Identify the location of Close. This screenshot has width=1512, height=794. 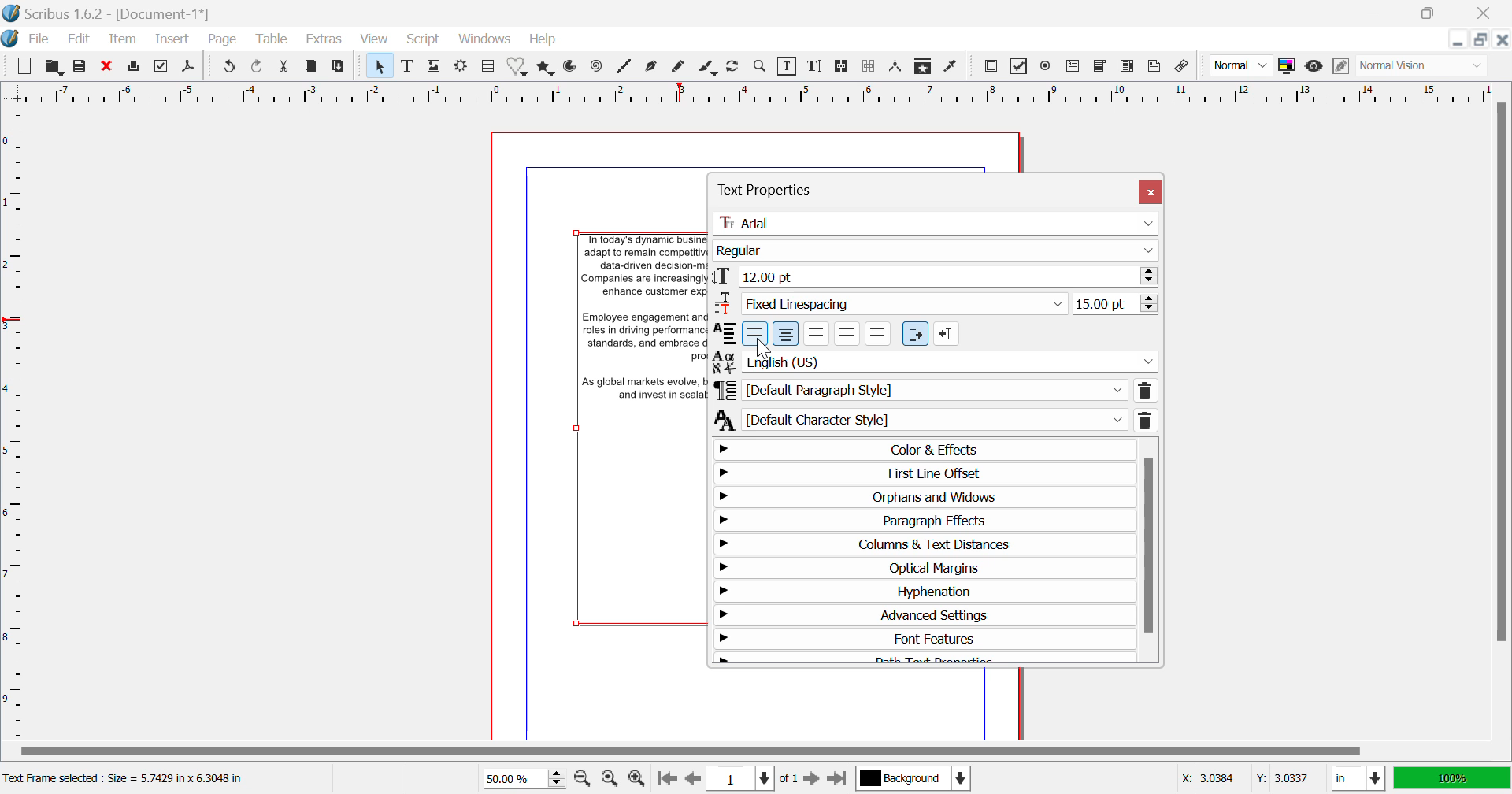
(1148, 193).